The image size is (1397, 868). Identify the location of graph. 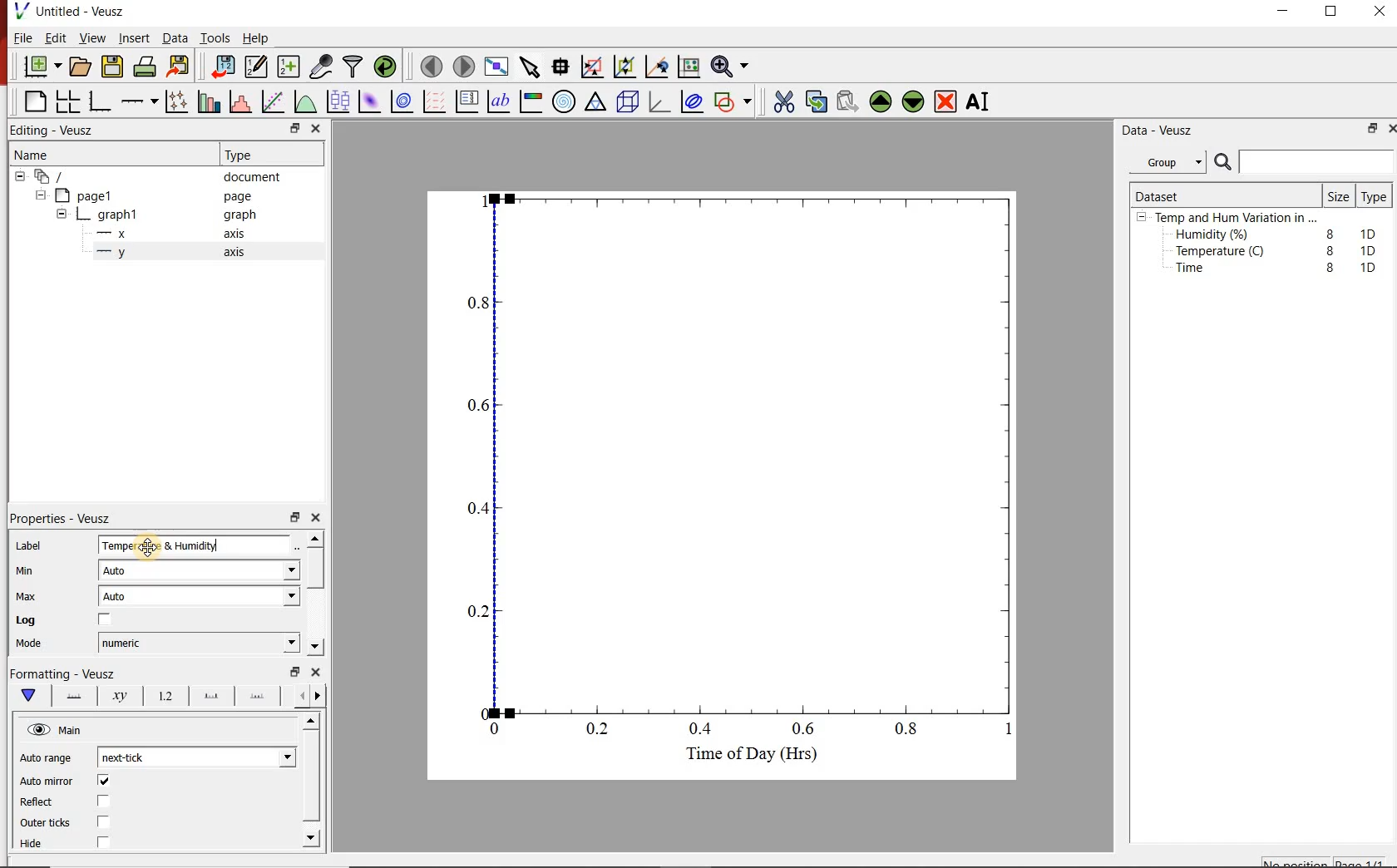
(239, 216).